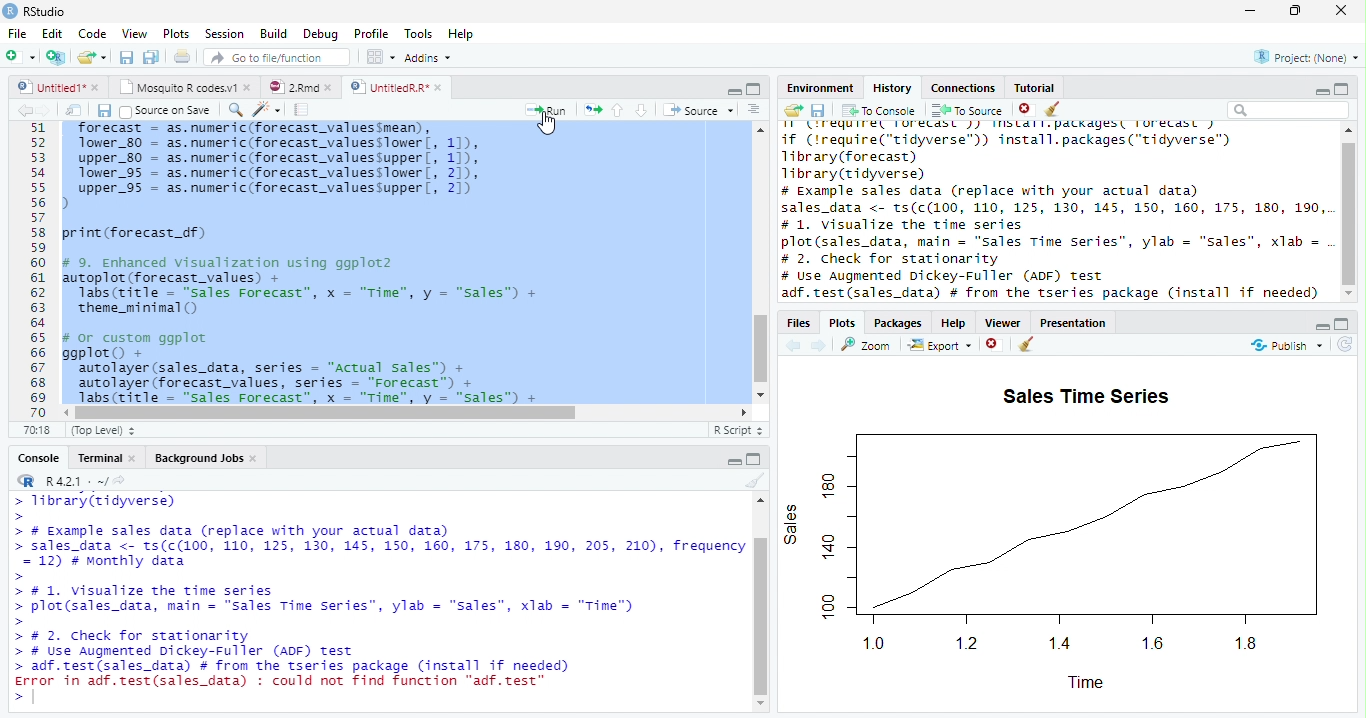 The width and height of the screenshot is (1366, 718). Describe the element at coordinates (206, 458) in the screenshot. I see `Background jobs` at that location.